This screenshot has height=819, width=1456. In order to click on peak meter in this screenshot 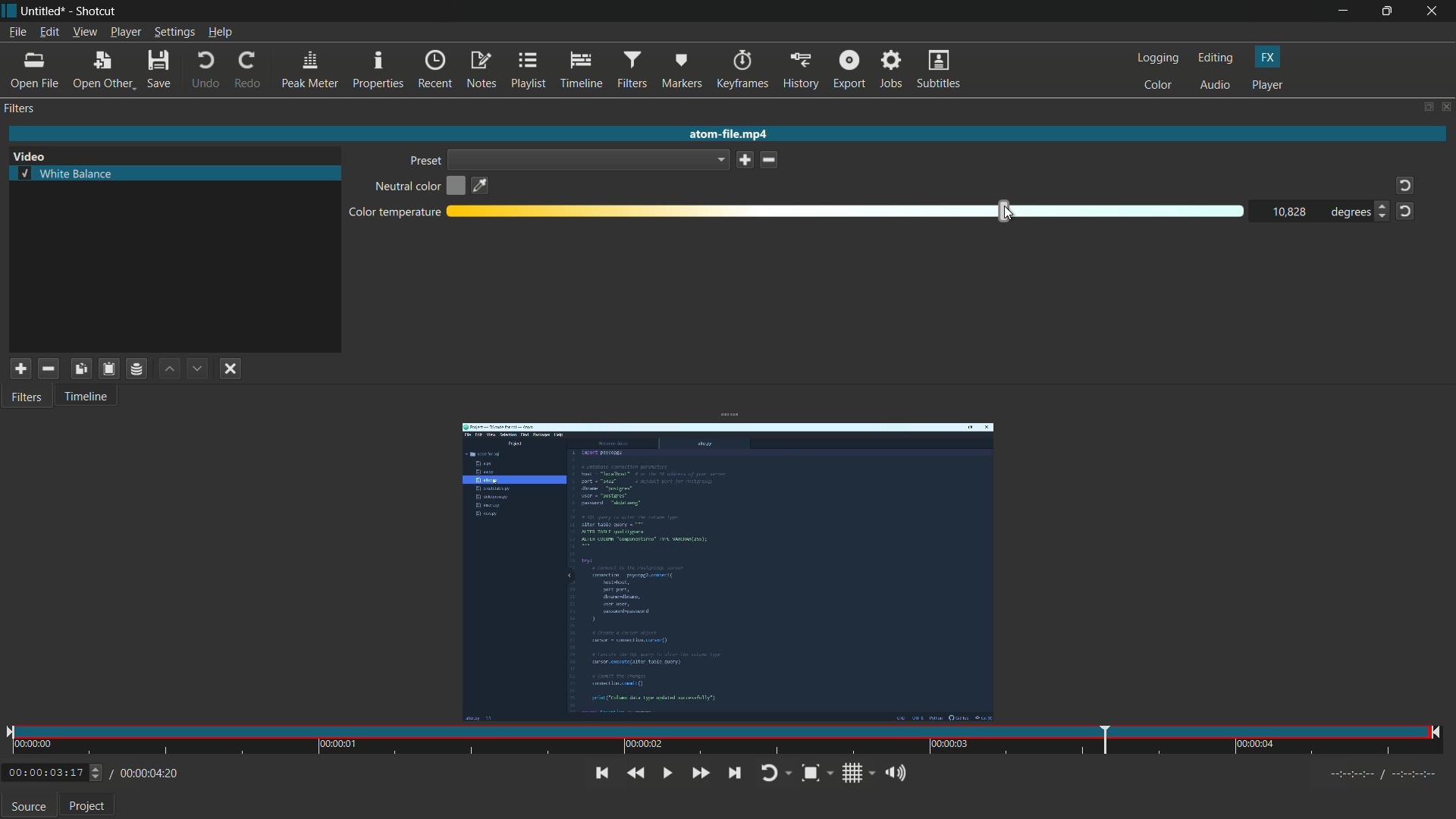, I will do `click(310, 70)`.